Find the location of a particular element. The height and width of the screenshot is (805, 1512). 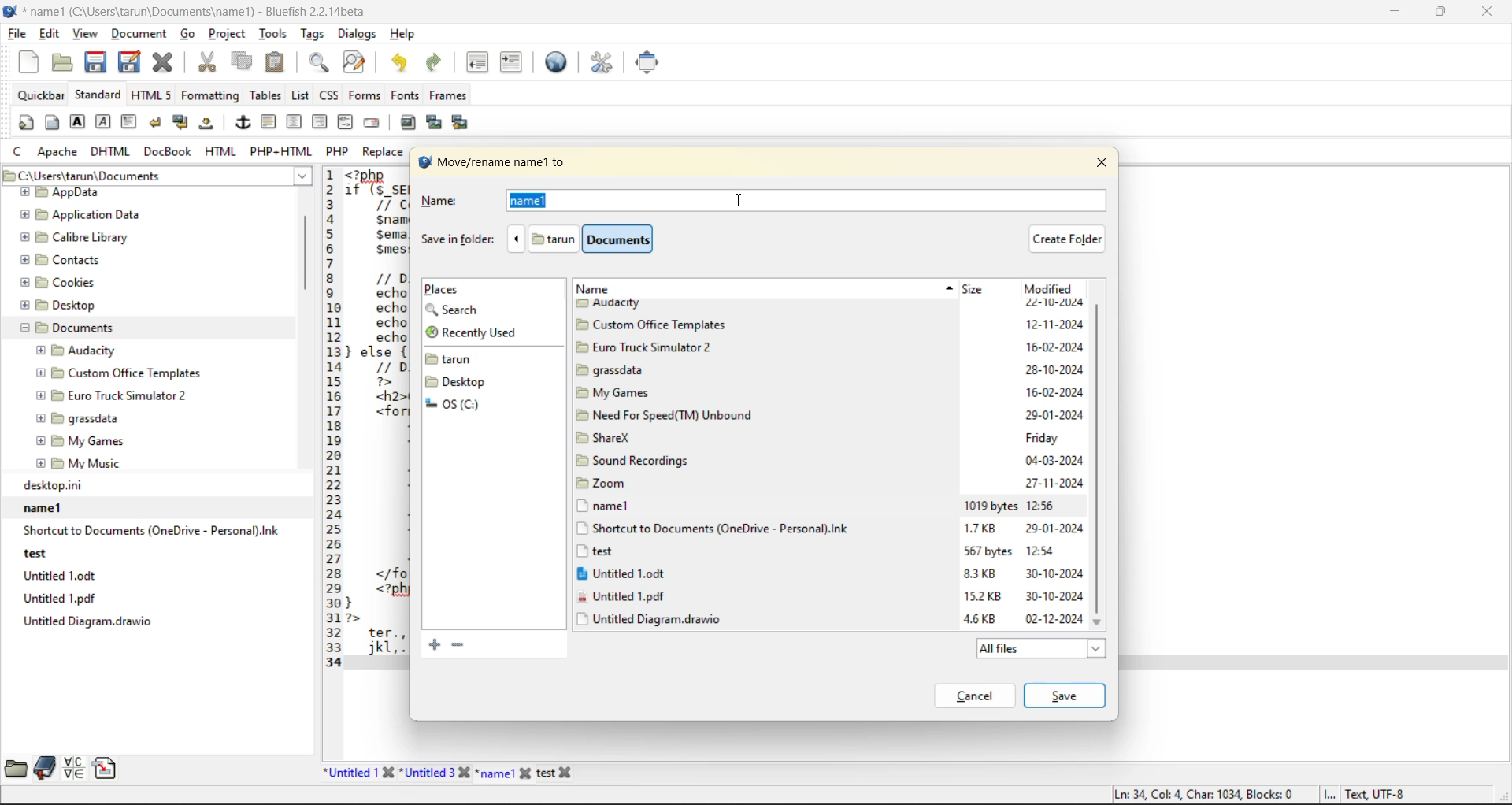

emphasis is located at coordinates (105, 121).